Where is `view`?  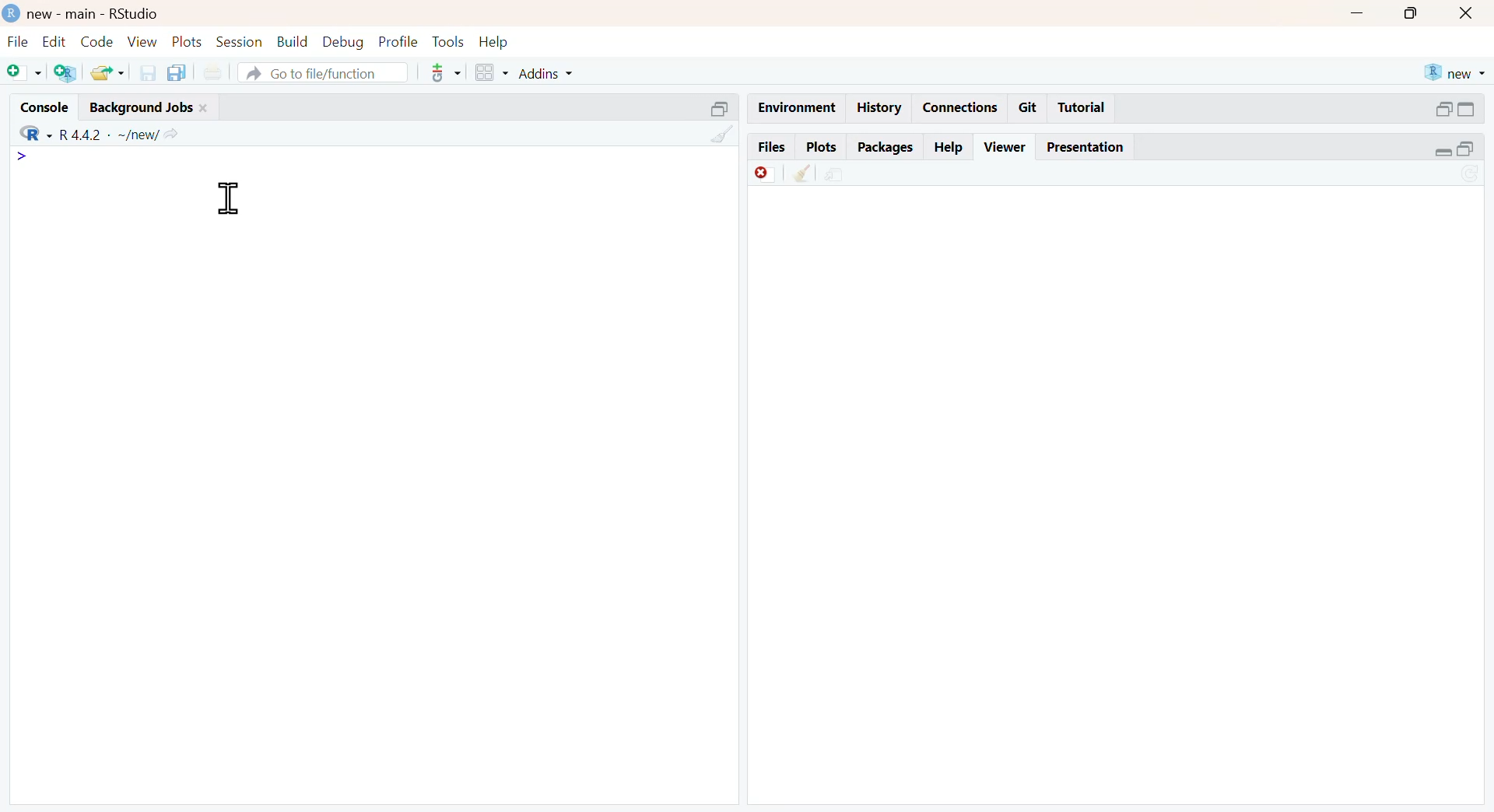 view is located at coordinates (143, 40).